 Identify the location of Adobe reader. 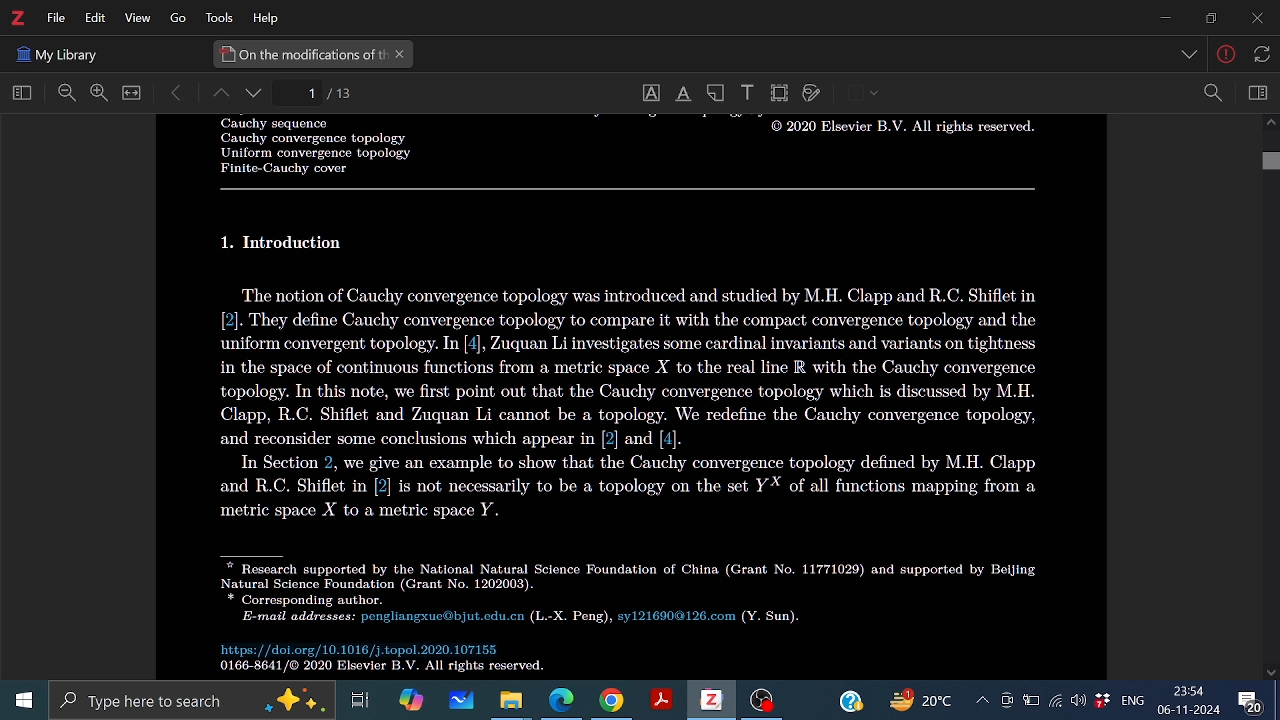
(660, 701).